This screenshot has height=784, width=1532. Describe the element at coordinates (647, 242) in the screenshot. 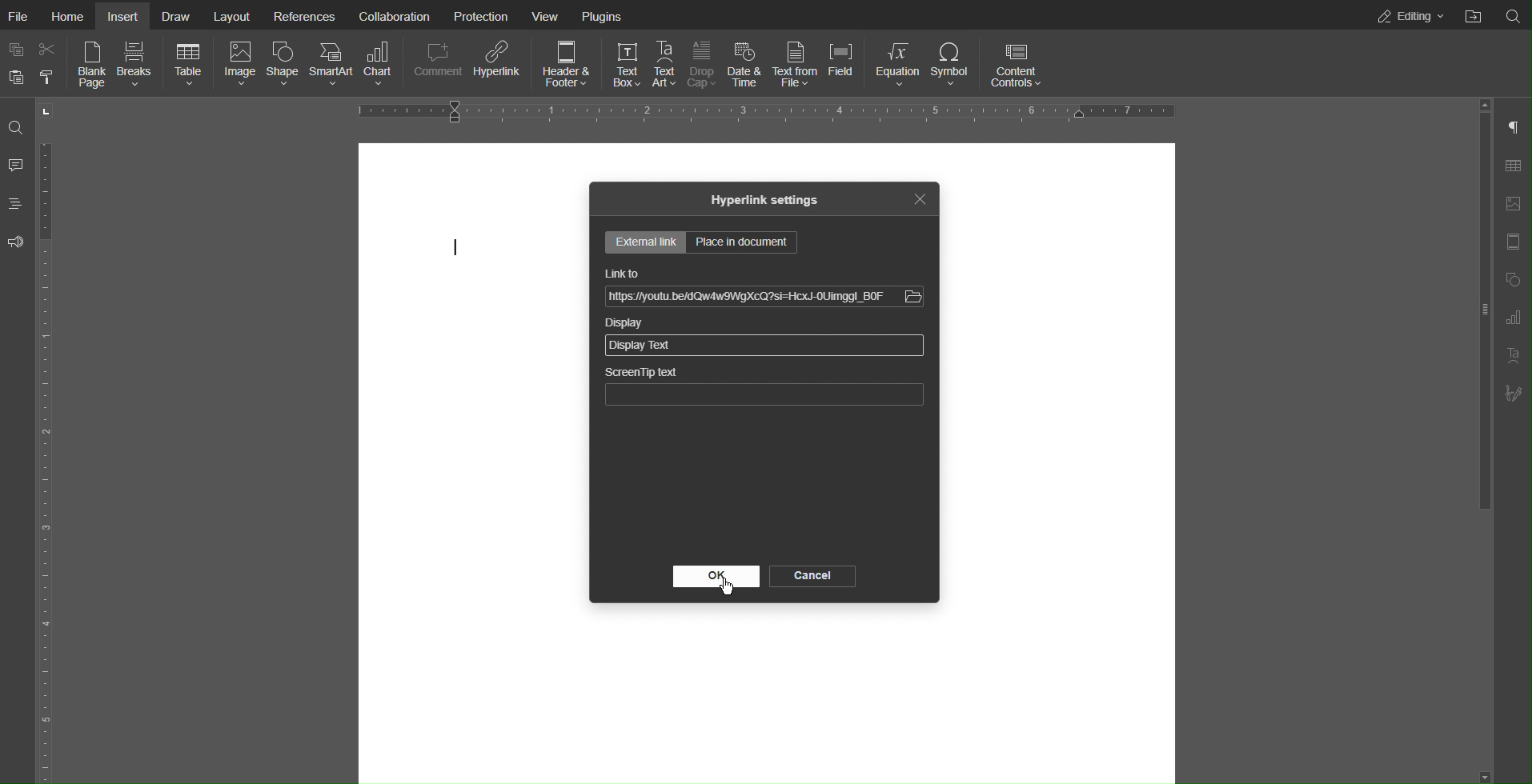

I see `External Settings` at that location.